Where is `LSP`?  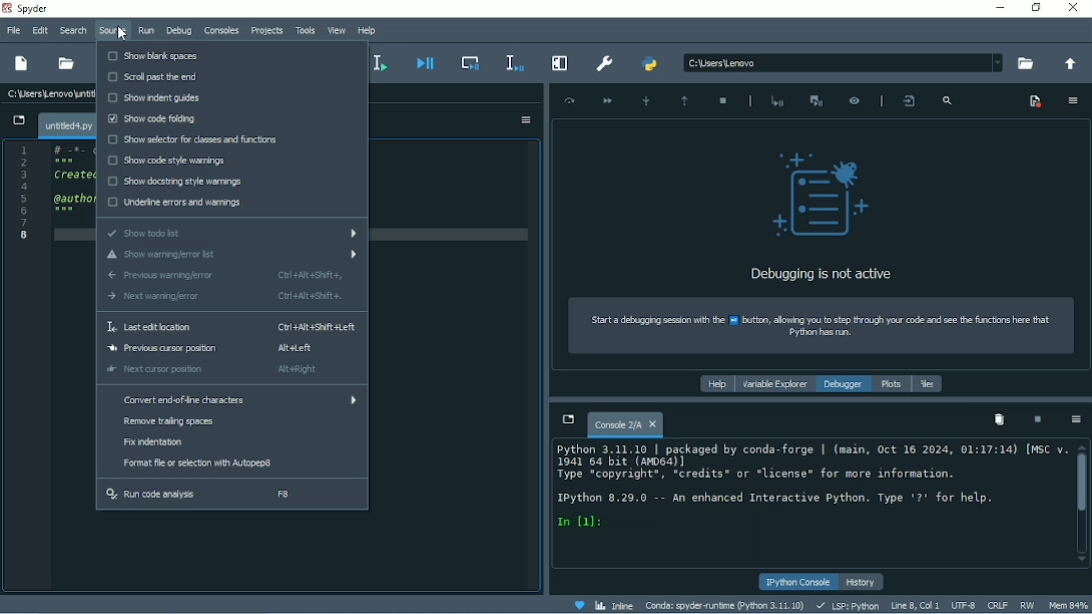
LSP is located at coordinates (846, 605).